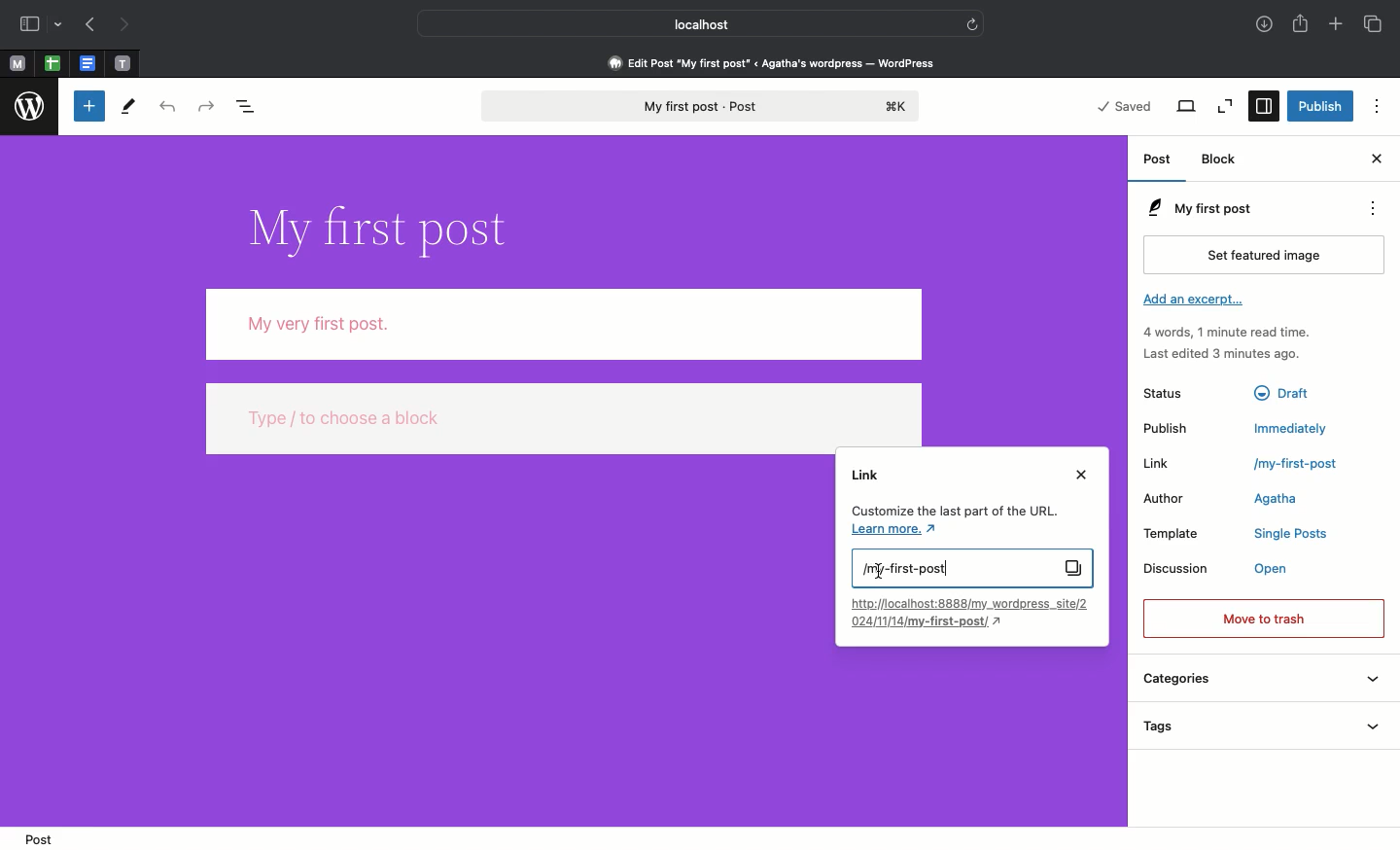 The image size is (1400, 850). What do you see at coordinates (204, 106) in the screenshot?
I see `Redo` at bounding box center [204, 106].